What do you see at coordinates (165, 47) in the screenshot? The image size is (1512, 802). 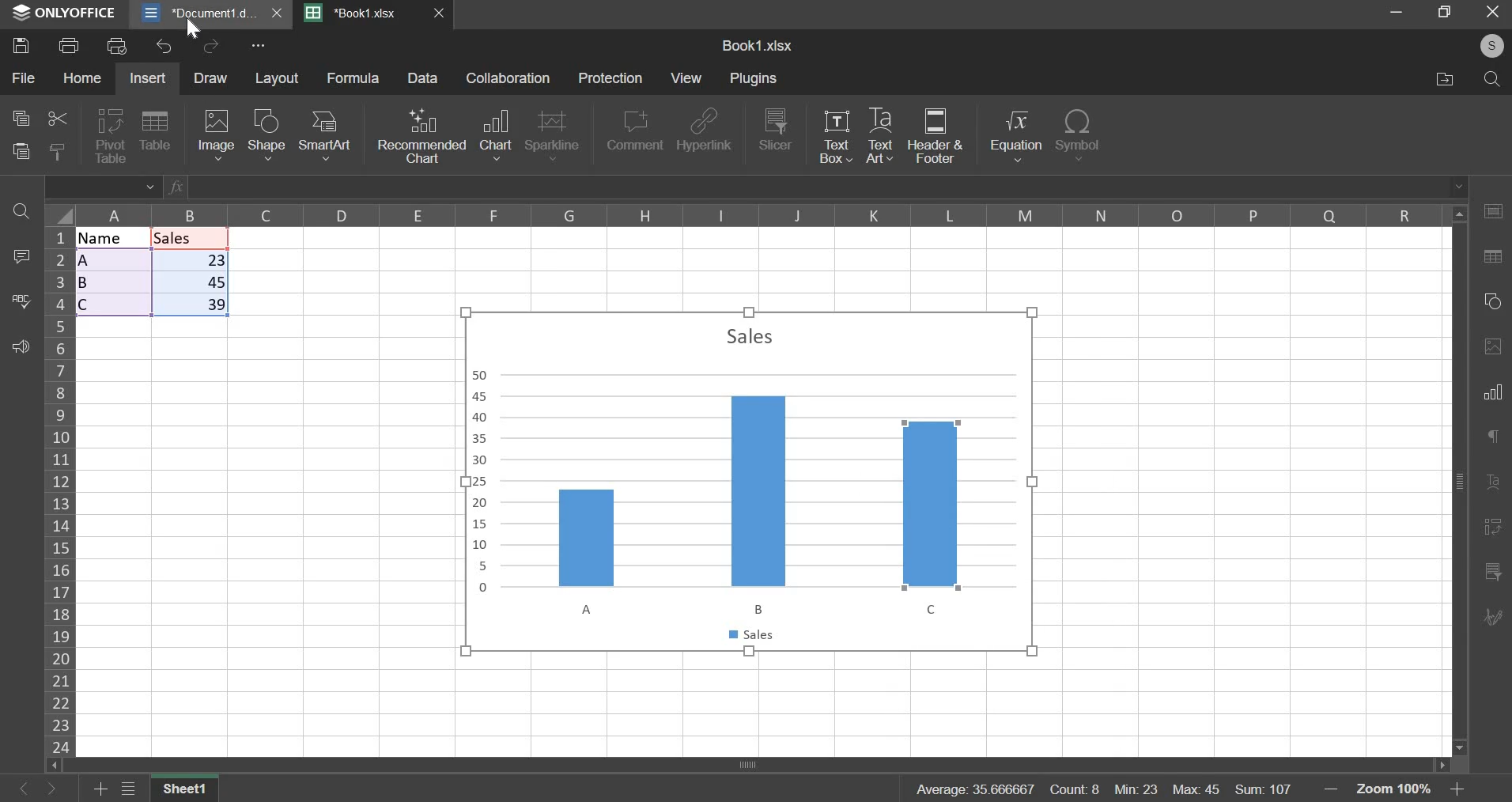 I see `undo` at bounding box center [165, 47].